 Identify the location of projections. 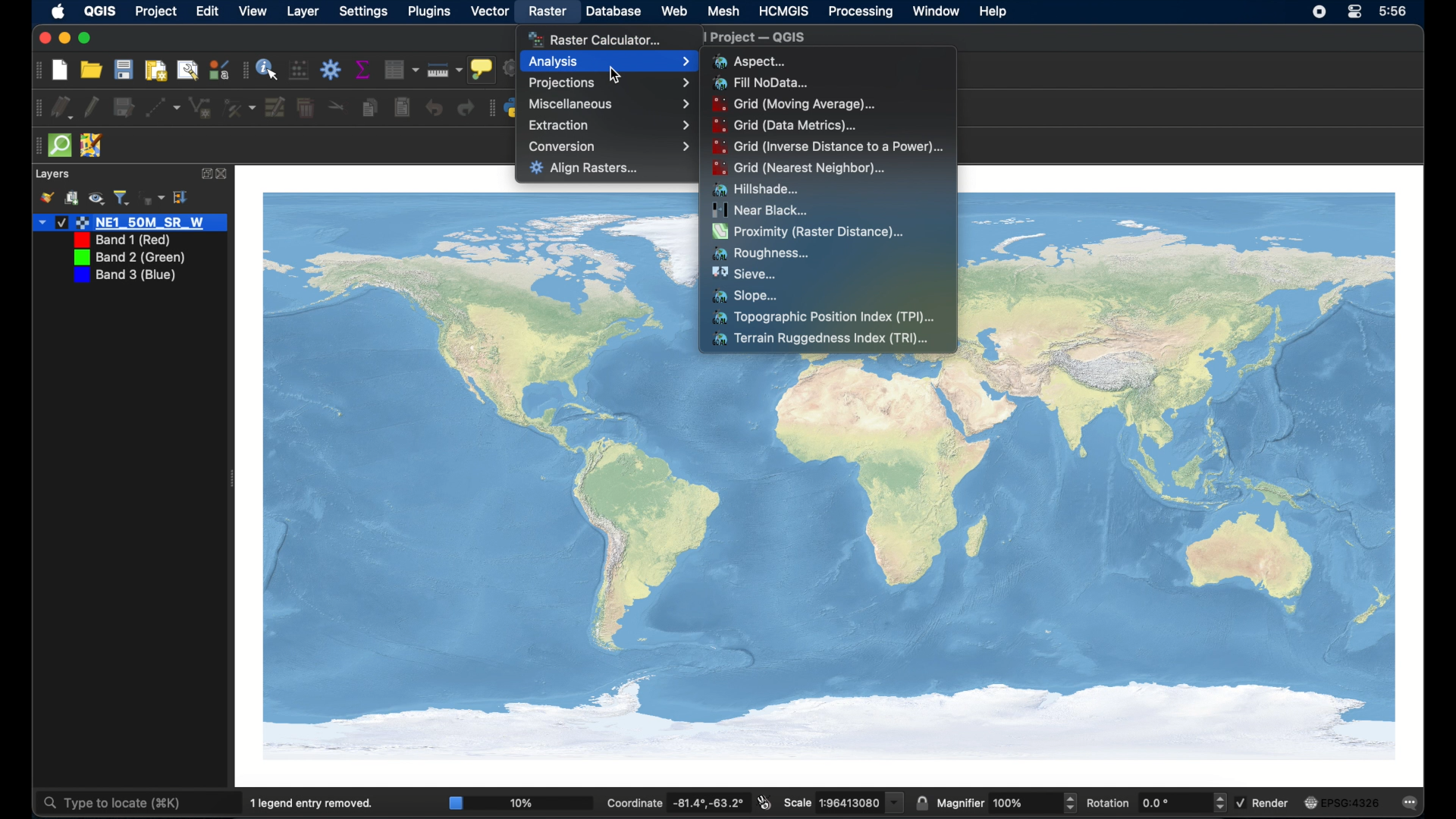
(609, 84).